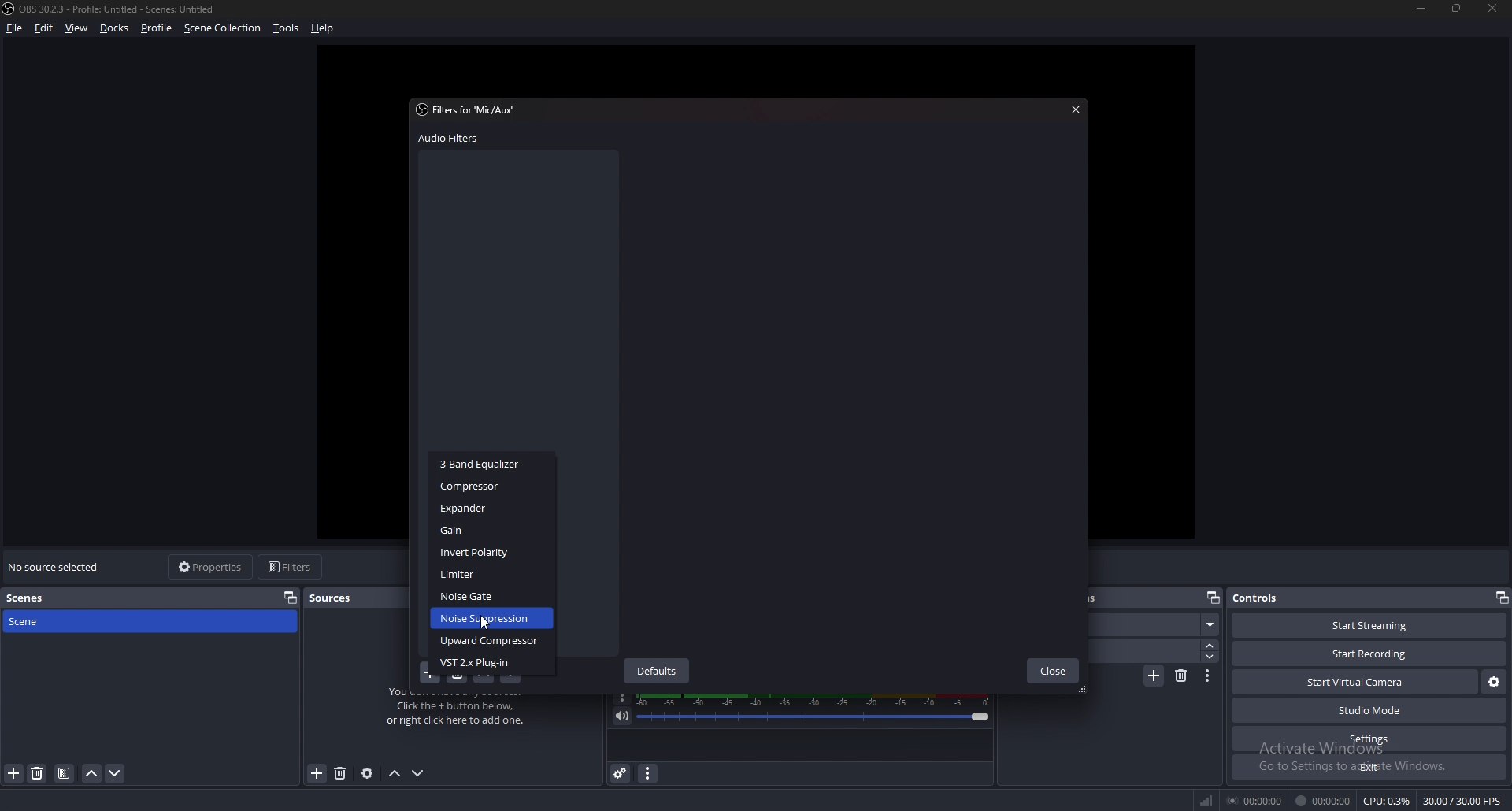  Describe the element at coordinates (454, 139) in the screenshot. I see `audio filters` at that location.